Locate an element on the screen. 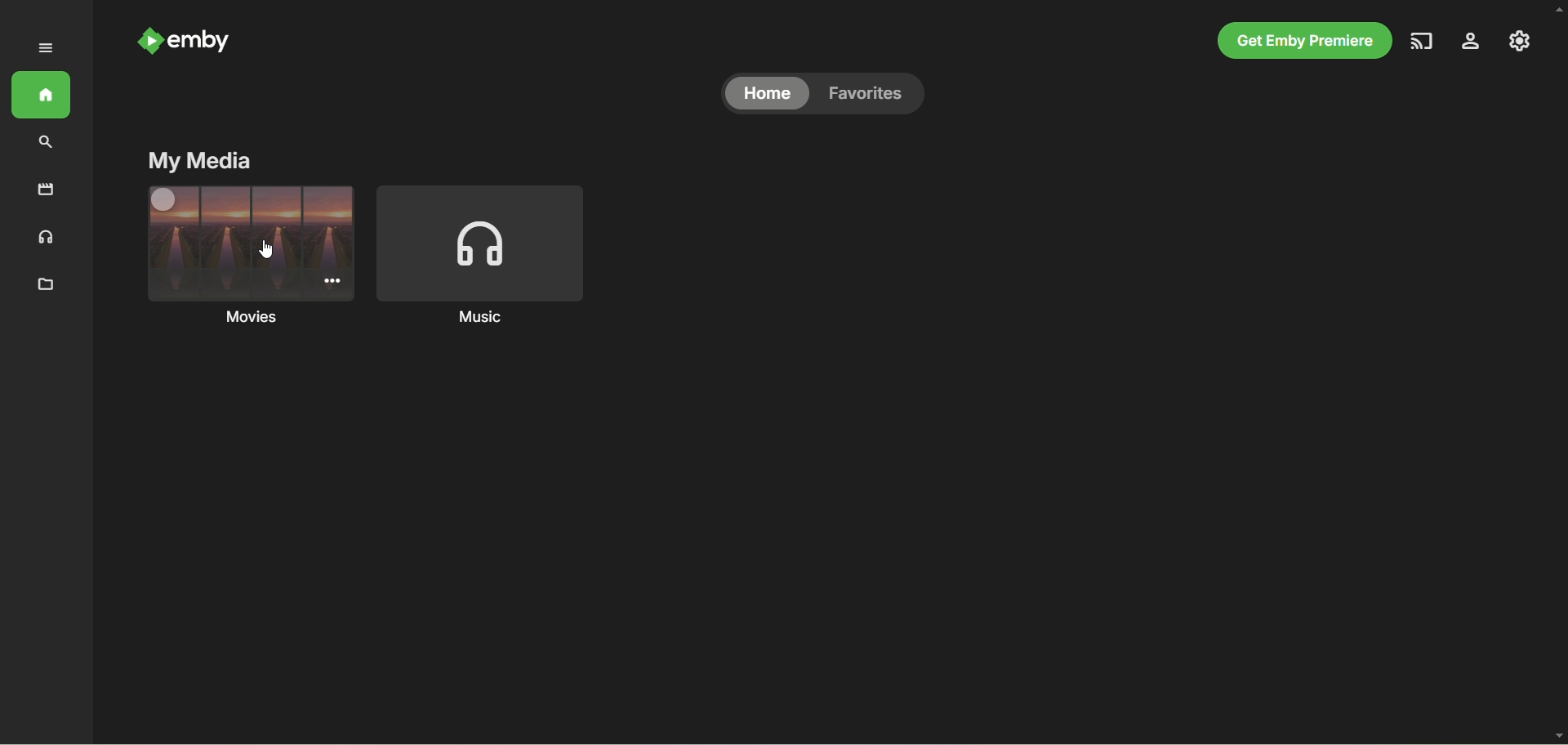 The width and height of the screenshot is (1568, 745). my media is located at coordinates (202, 163).